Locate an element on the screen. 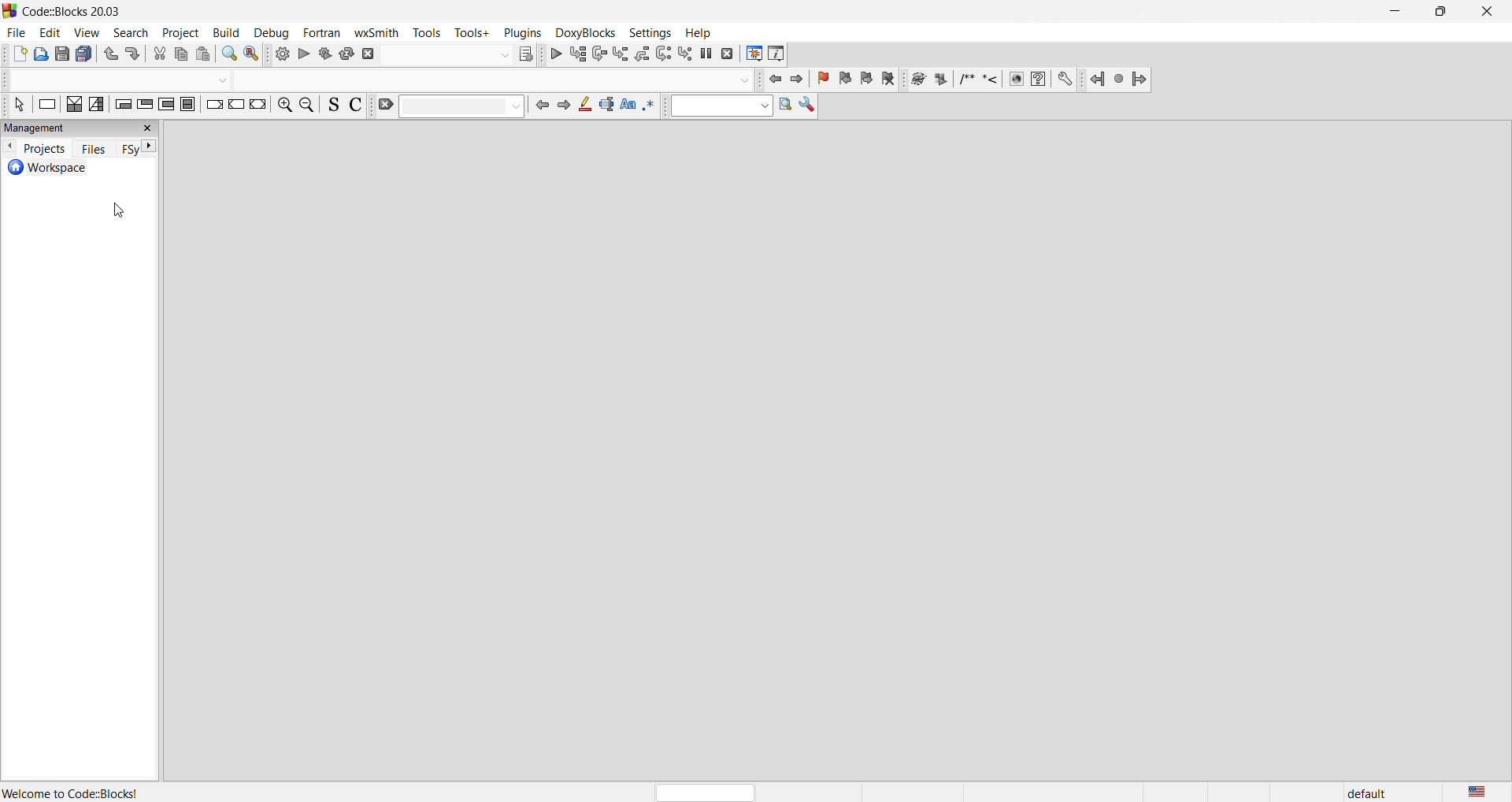  break debugger is located at coordinates (707, 54).